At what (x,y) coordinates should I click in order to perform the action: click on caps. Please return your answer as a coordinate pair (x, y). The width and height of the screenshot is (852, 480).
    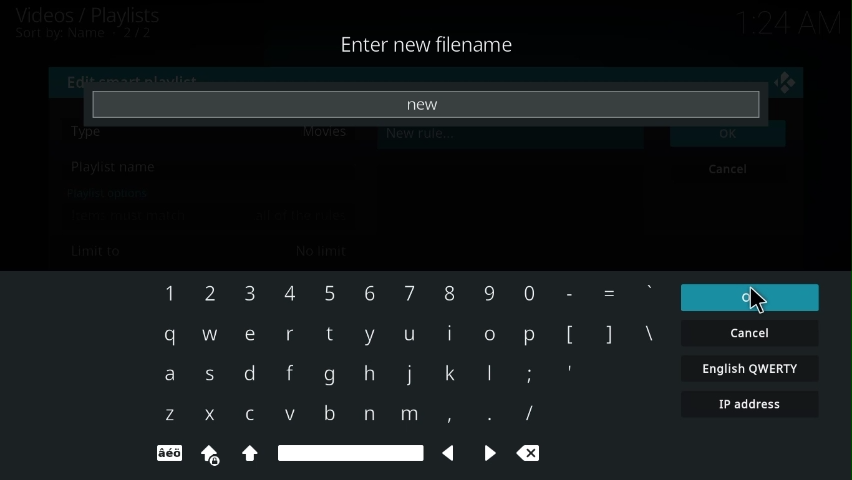
    Looking at the image, I should click on (209, 454).